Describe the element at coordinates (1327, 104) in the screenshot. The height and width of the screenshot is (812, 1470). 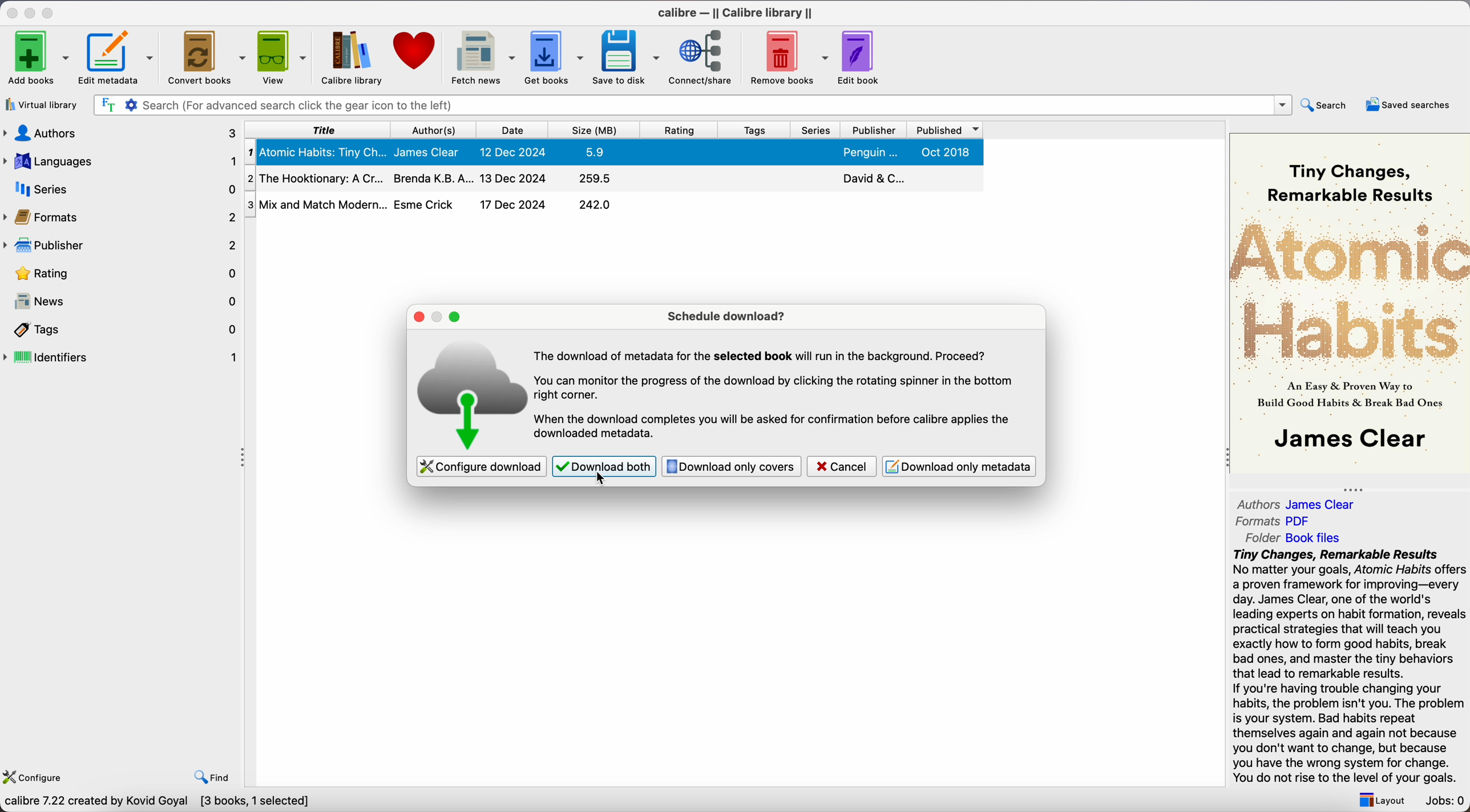
I see `search` at that location.